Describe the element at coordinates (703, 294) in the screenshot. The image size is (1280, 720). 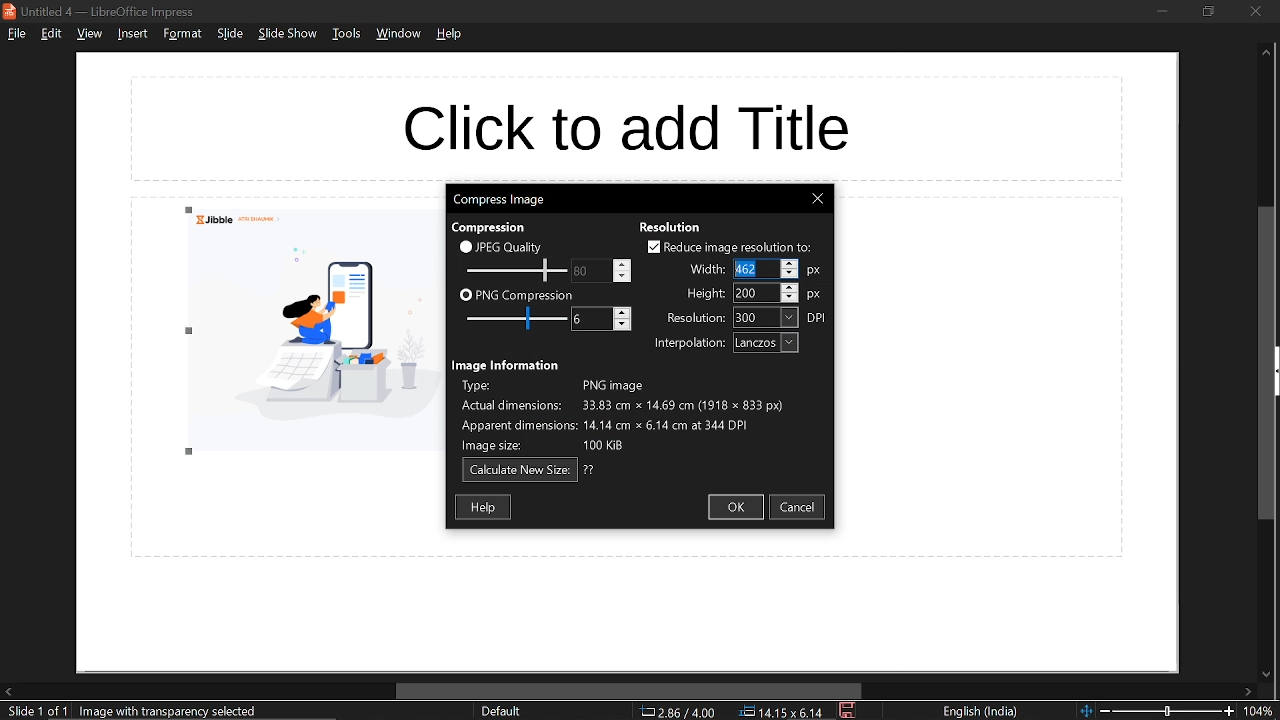
I see `height` at that location.